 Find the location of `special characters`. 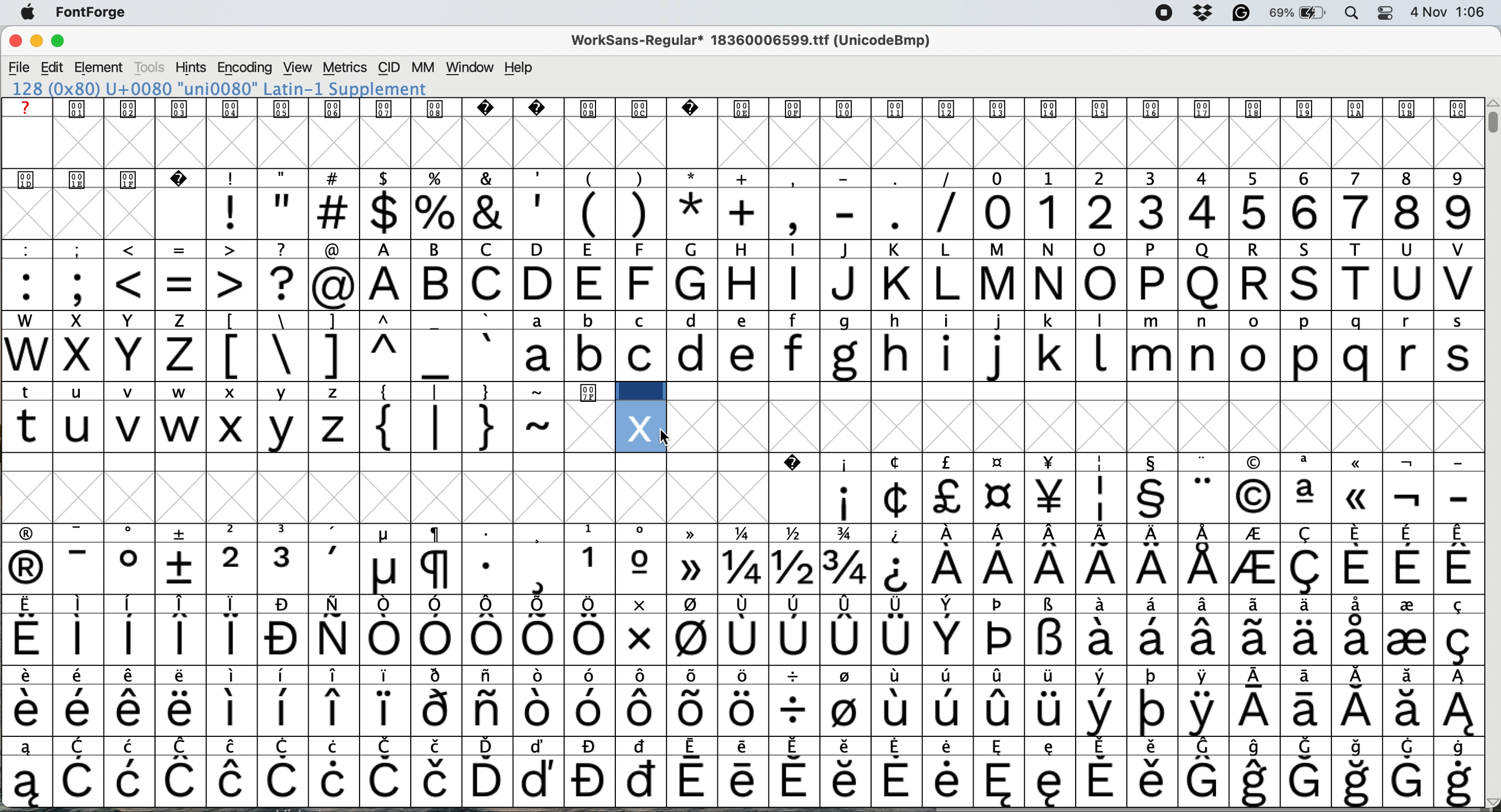

special characters is located at coordinates (742, 676).